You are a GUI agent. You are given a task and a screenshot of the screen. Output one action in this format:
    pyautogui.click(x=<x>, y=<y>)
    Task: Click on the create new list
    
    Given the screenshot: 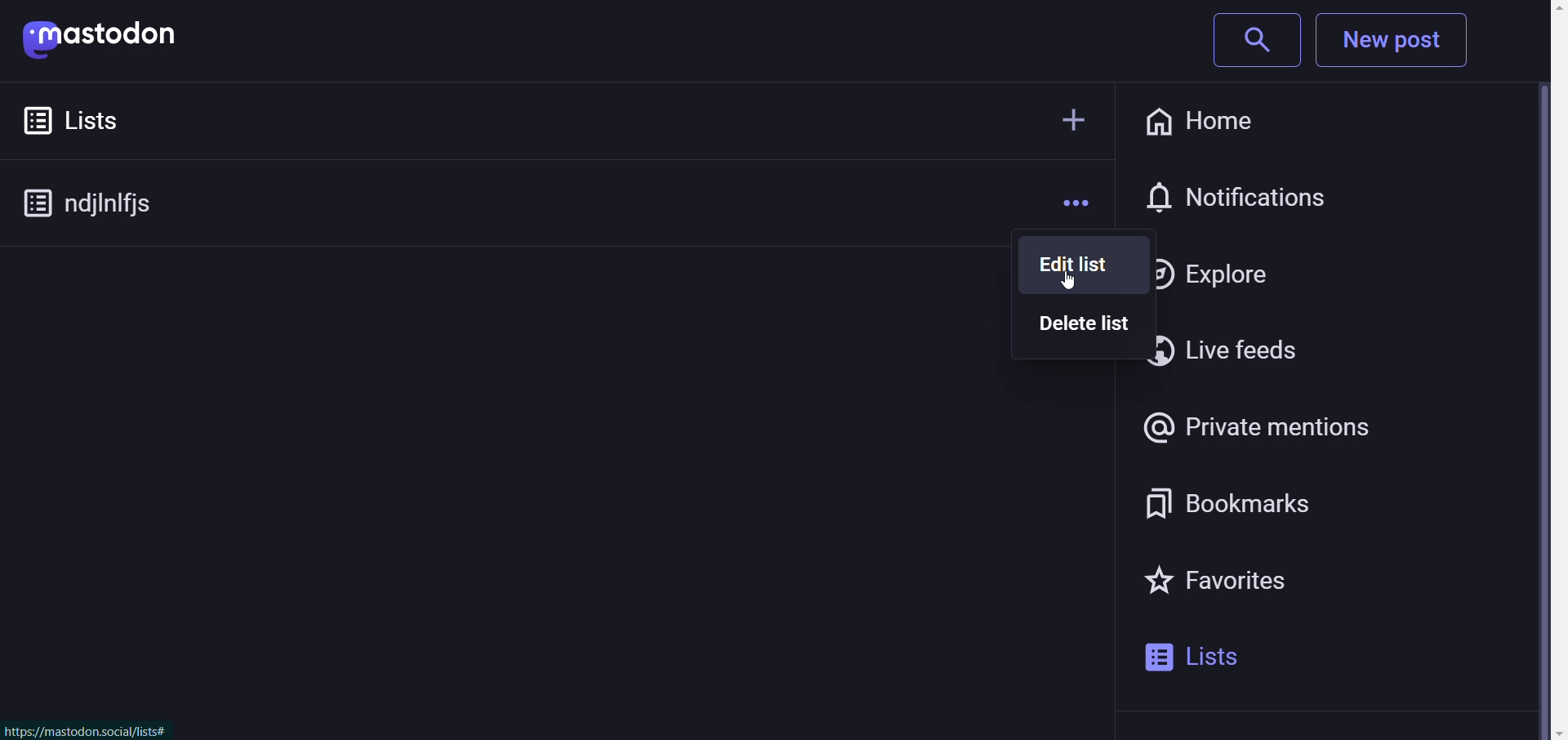 What is the action you would take?
    pyautogui.click(x=1063, y=122)
    